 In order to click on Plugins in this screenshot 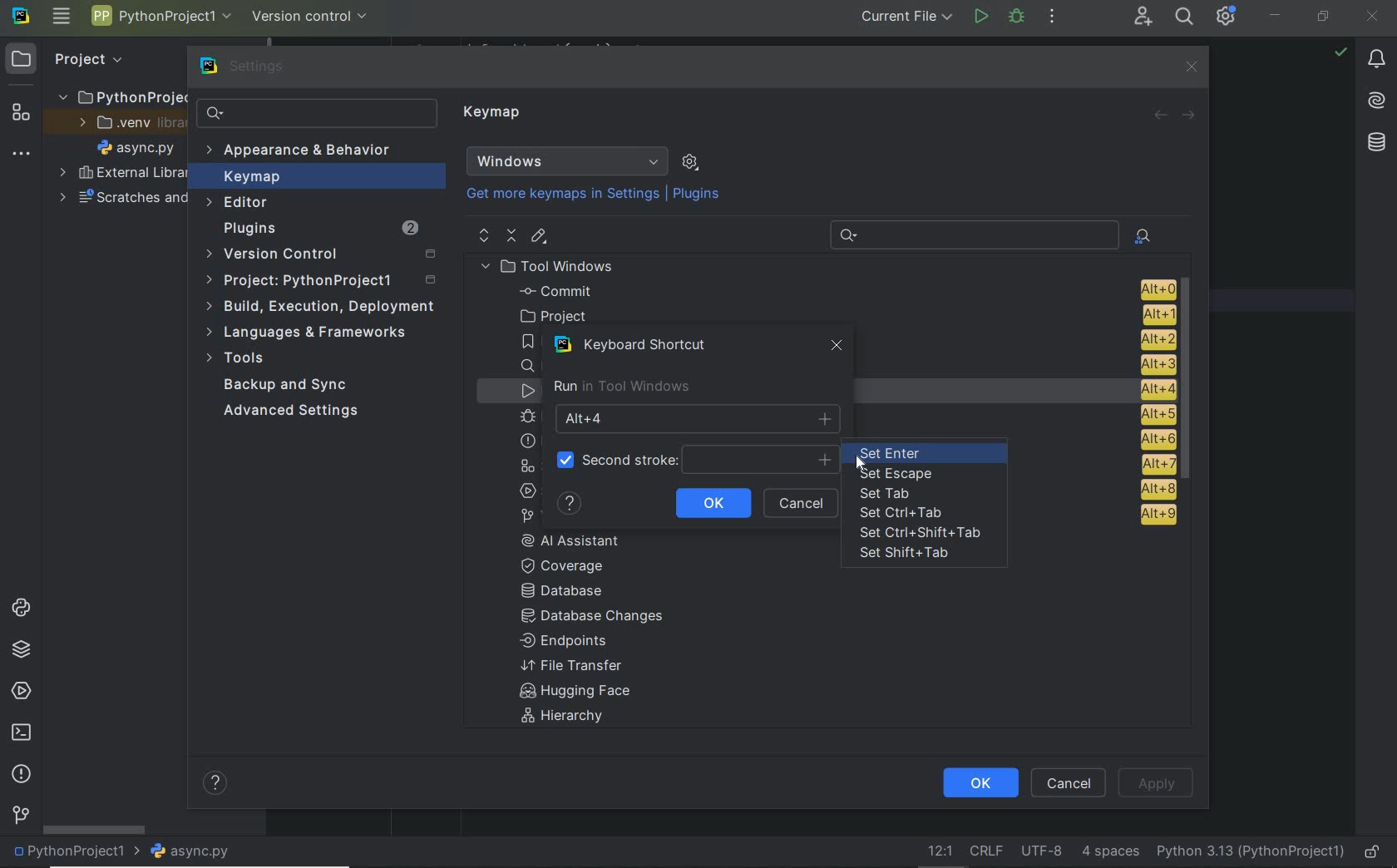, I will do `click(698, 195)`.